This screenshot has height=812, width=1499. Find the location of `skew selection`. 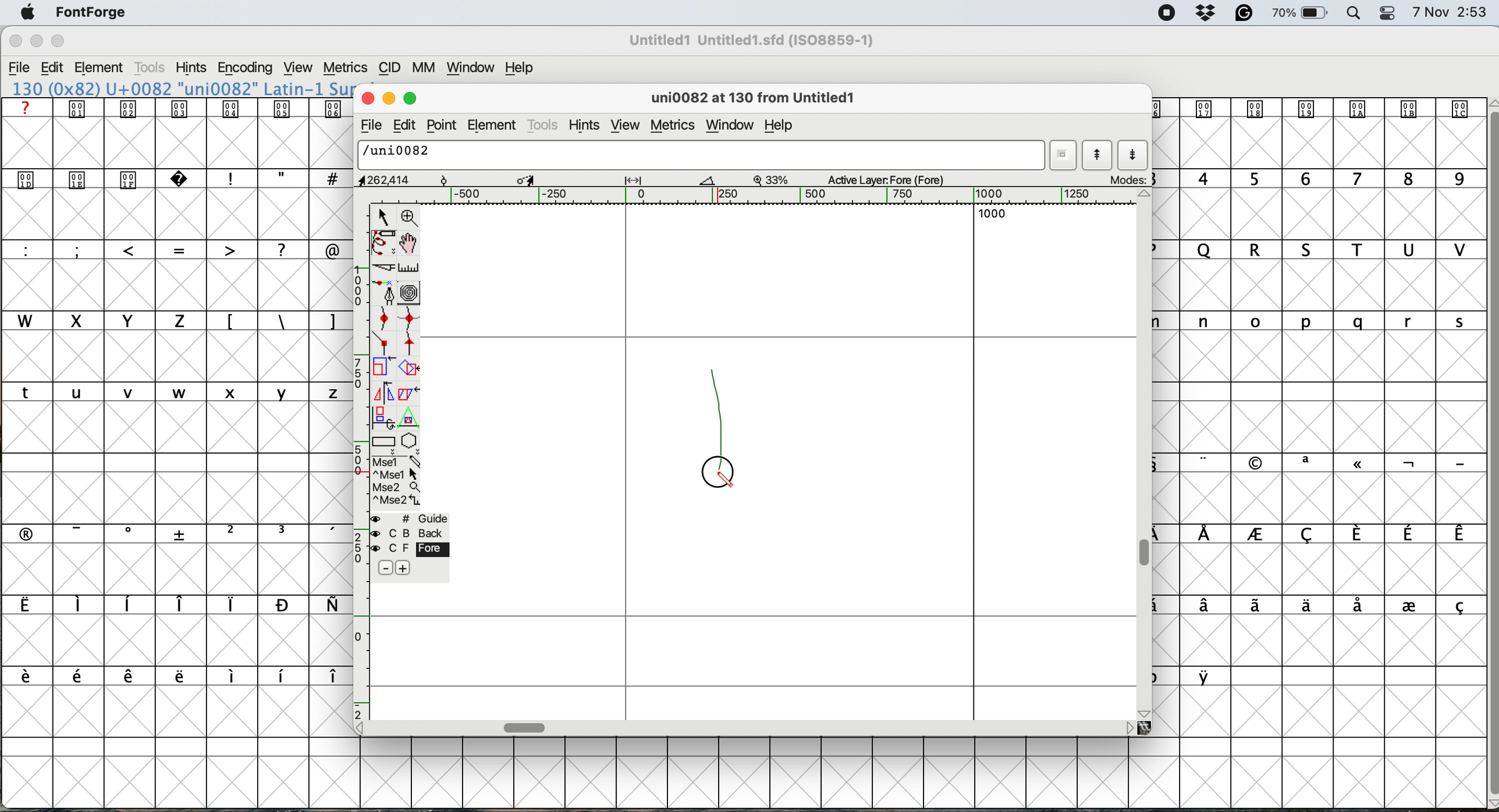

skew selection is located at coordinates (406, 393).